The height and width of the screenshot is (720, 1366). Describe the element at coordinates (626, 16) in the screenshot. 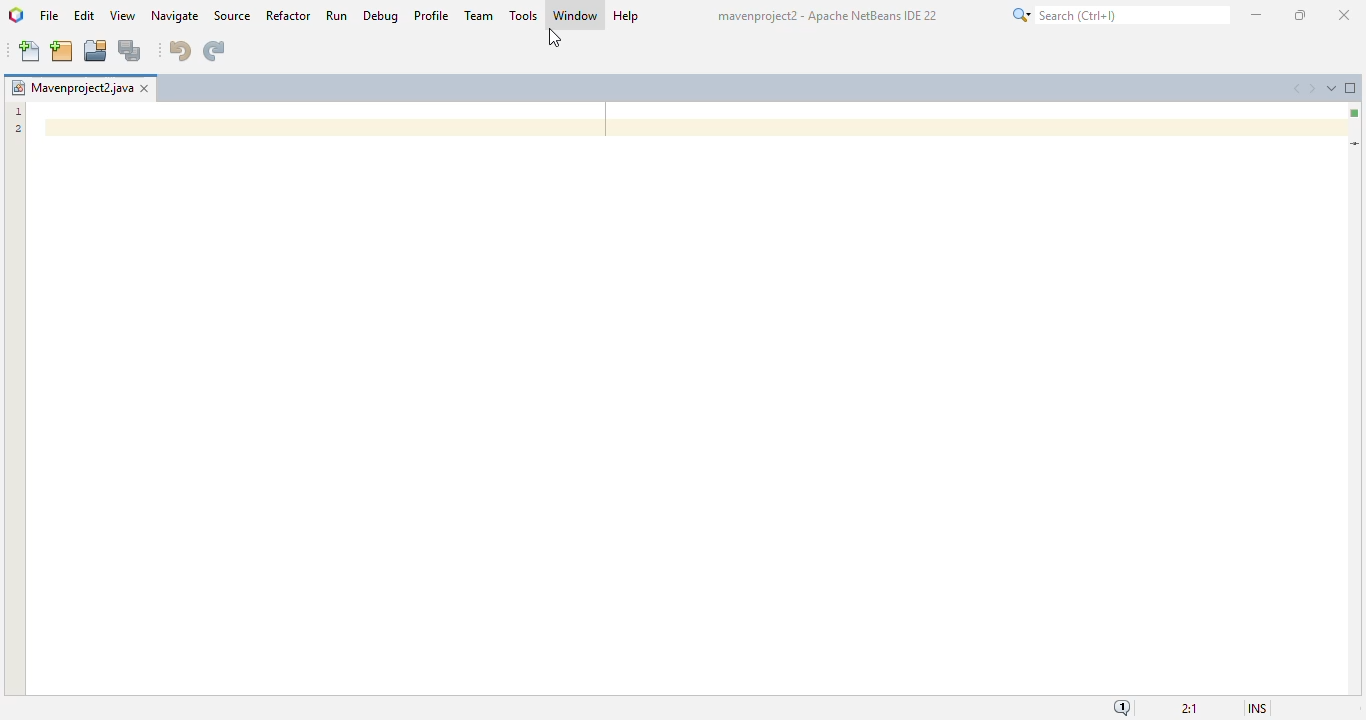

I see `help` at that location.